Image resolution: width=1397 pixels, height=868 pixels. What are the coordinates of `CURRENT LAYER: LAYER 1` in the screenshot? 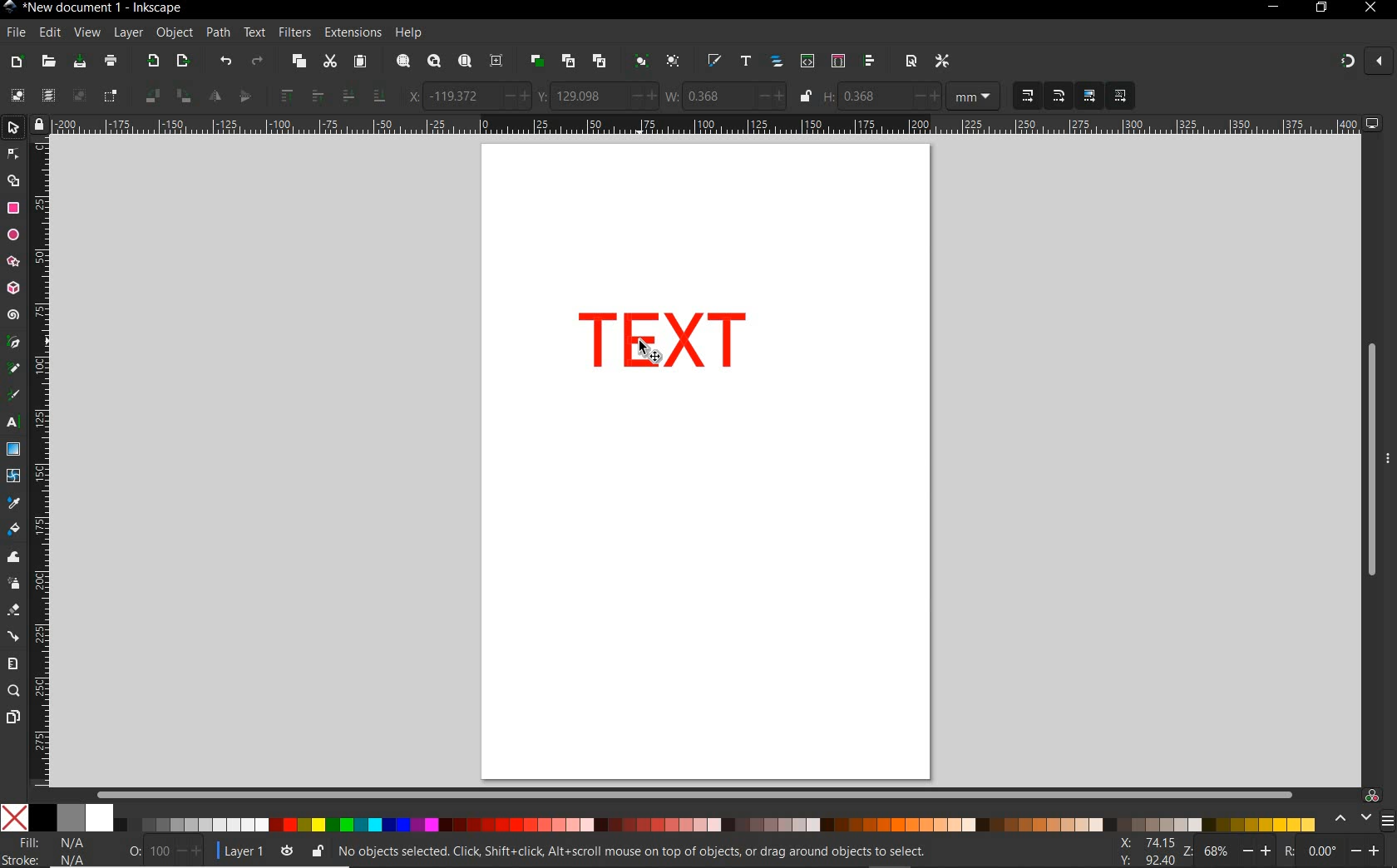 It's located at (242, 853).